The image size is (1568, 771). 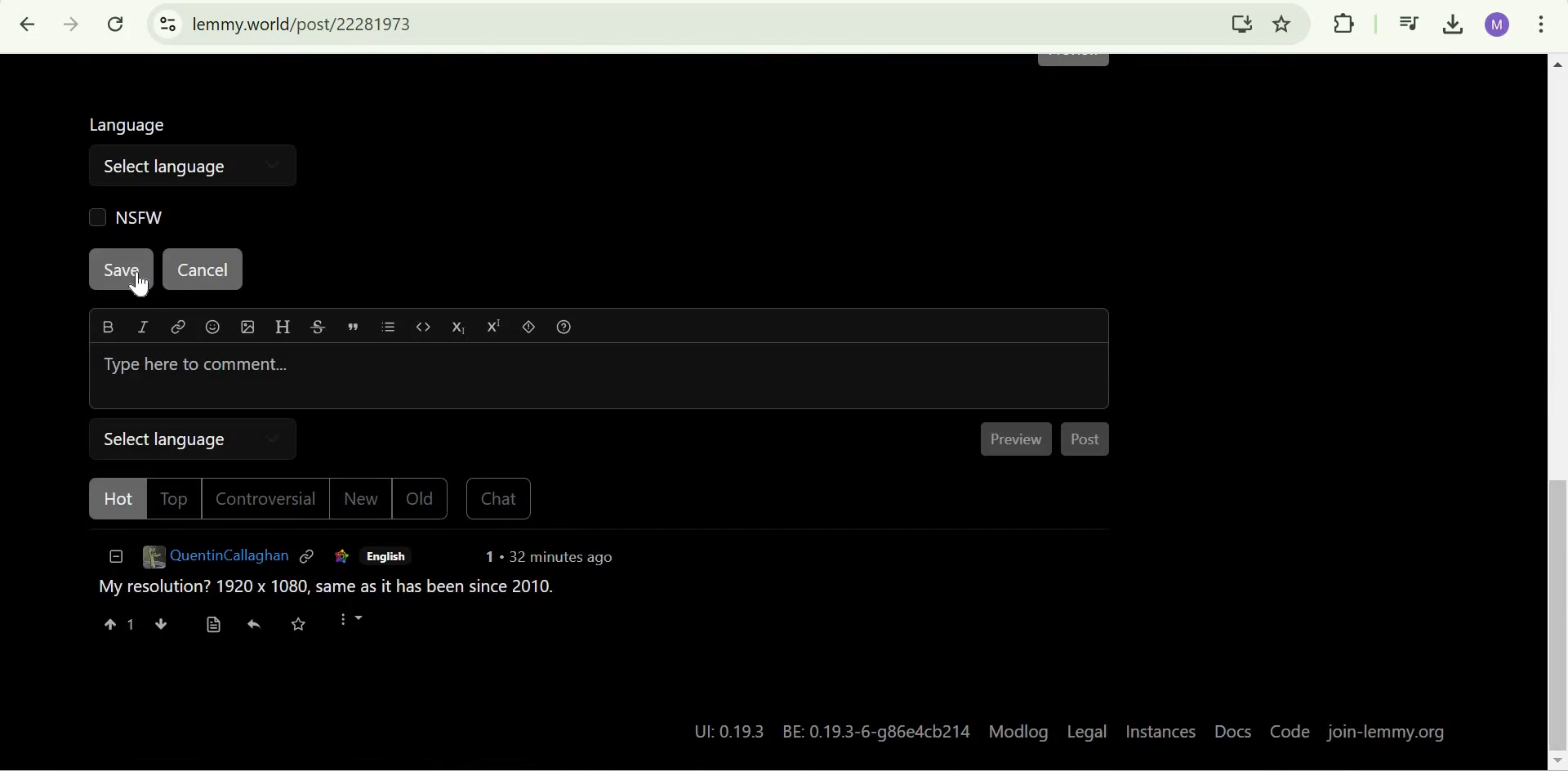 I want to click on spoiler, so click(x=532, y=329).